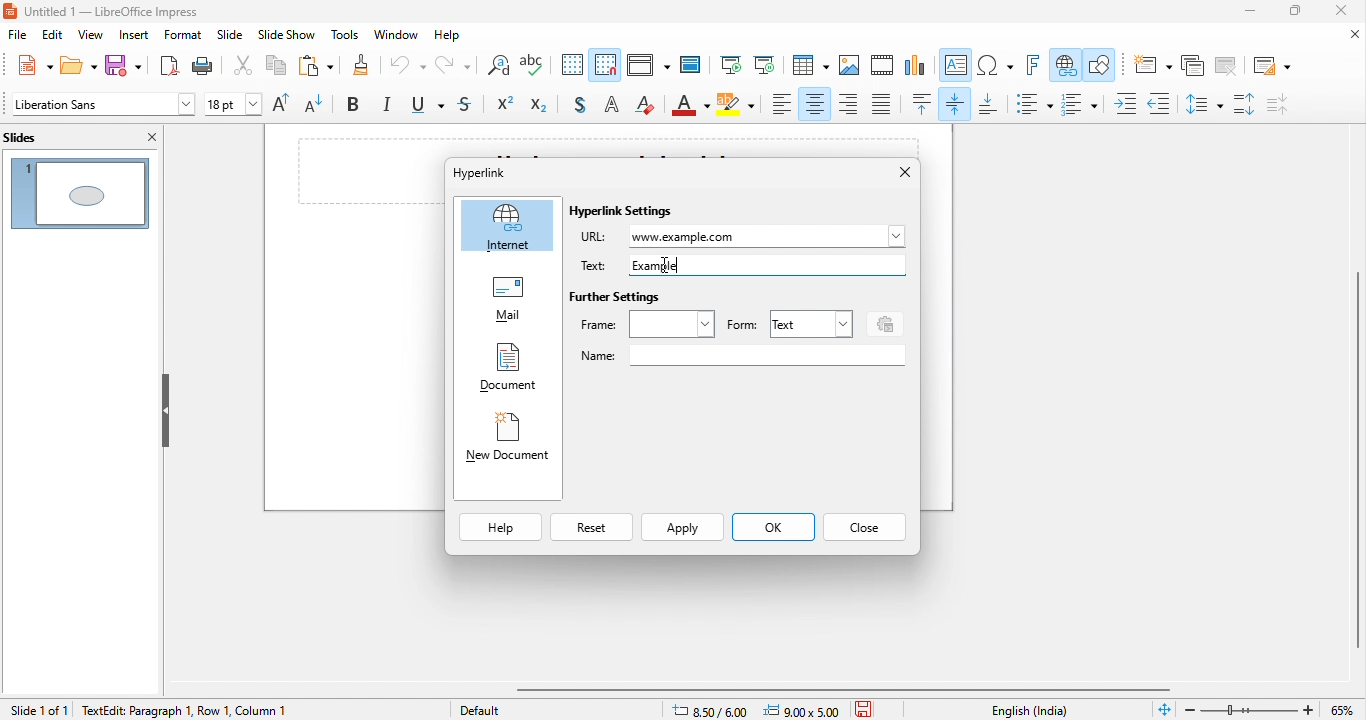  I want to click on untitled 1- libreoffice impress, so click(122, 12).